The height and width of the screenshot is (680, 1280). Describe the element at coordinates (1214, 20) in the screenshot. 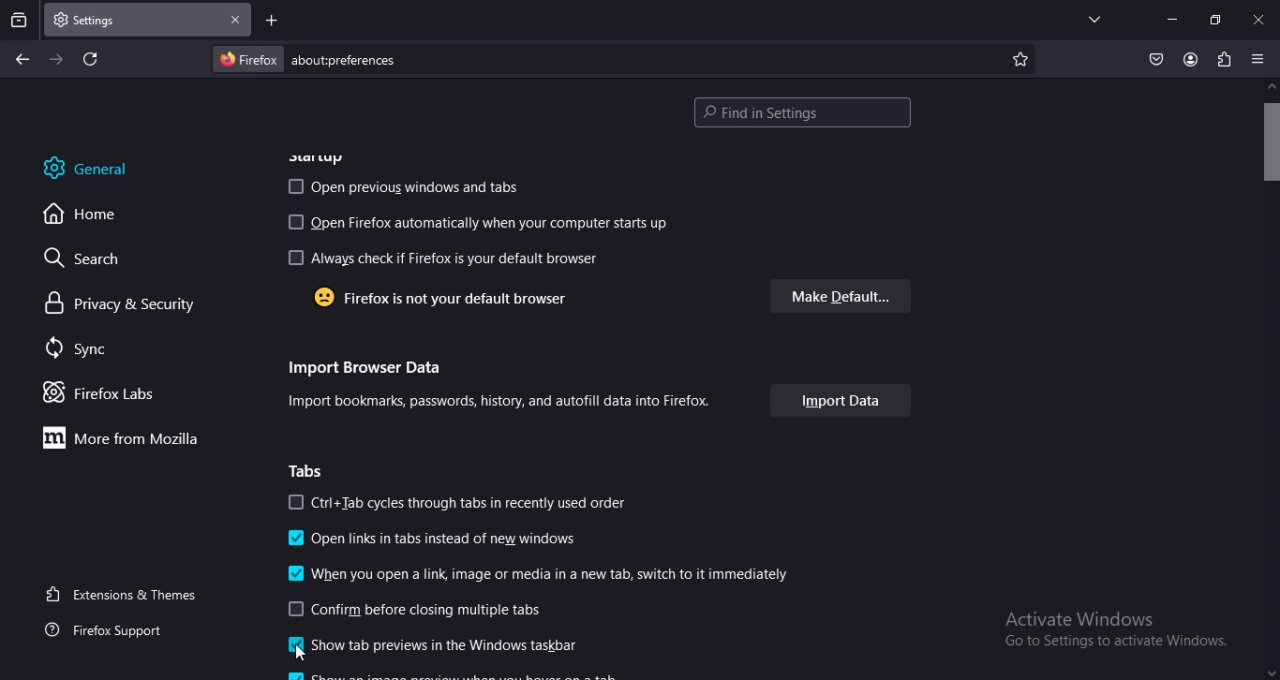

I see `restore down` at that location.